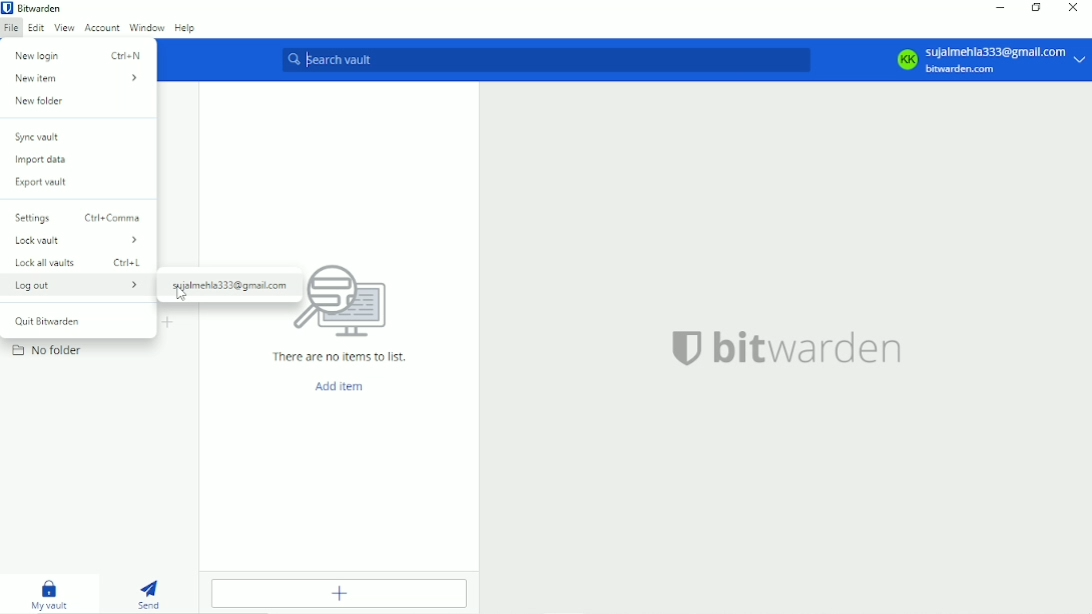  I want to click on Settings   Ctrl+Comma, so click(78, 217).